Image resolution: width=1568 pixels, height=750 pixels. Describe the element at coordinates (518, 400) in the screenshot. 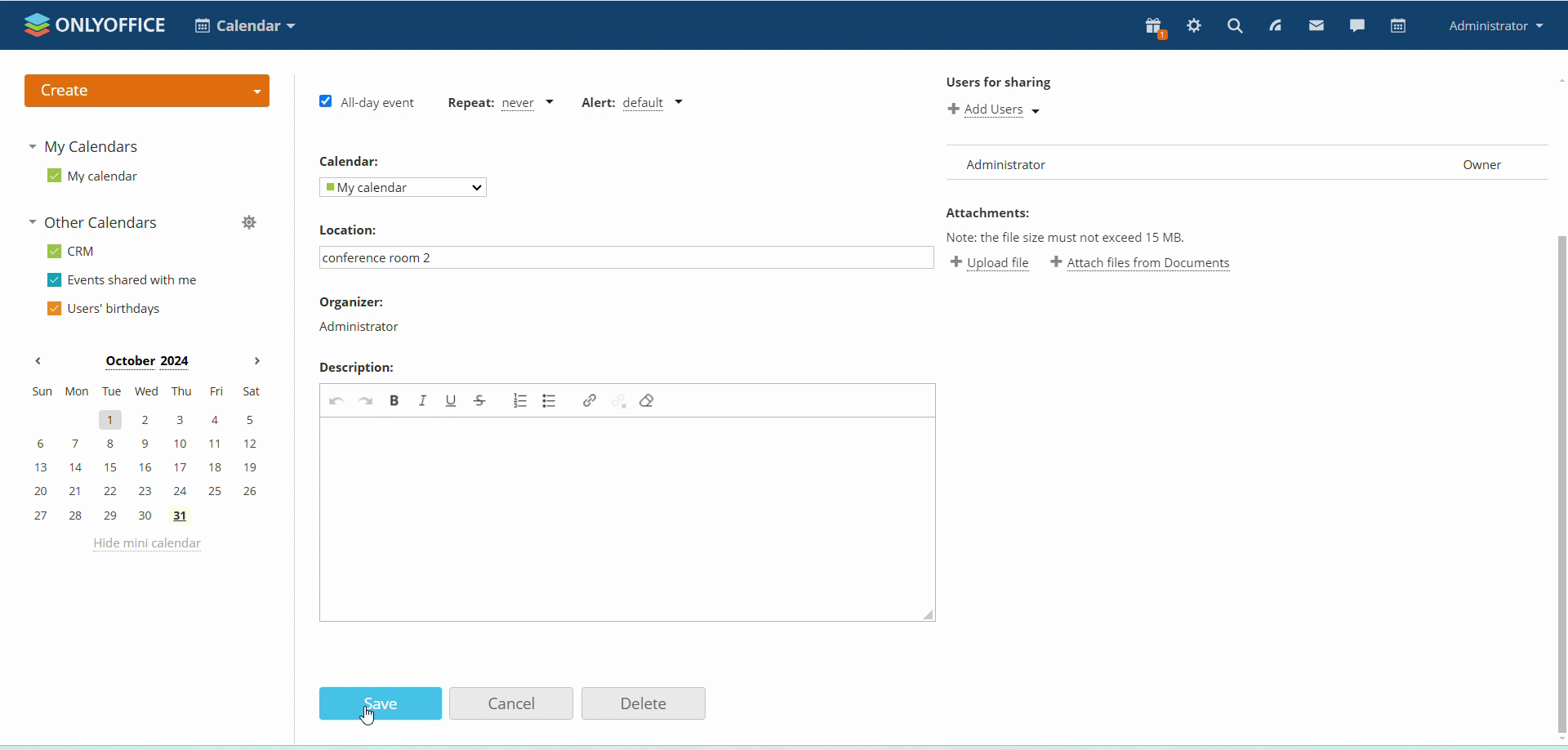

I see `add/remove numbered list` at that location.